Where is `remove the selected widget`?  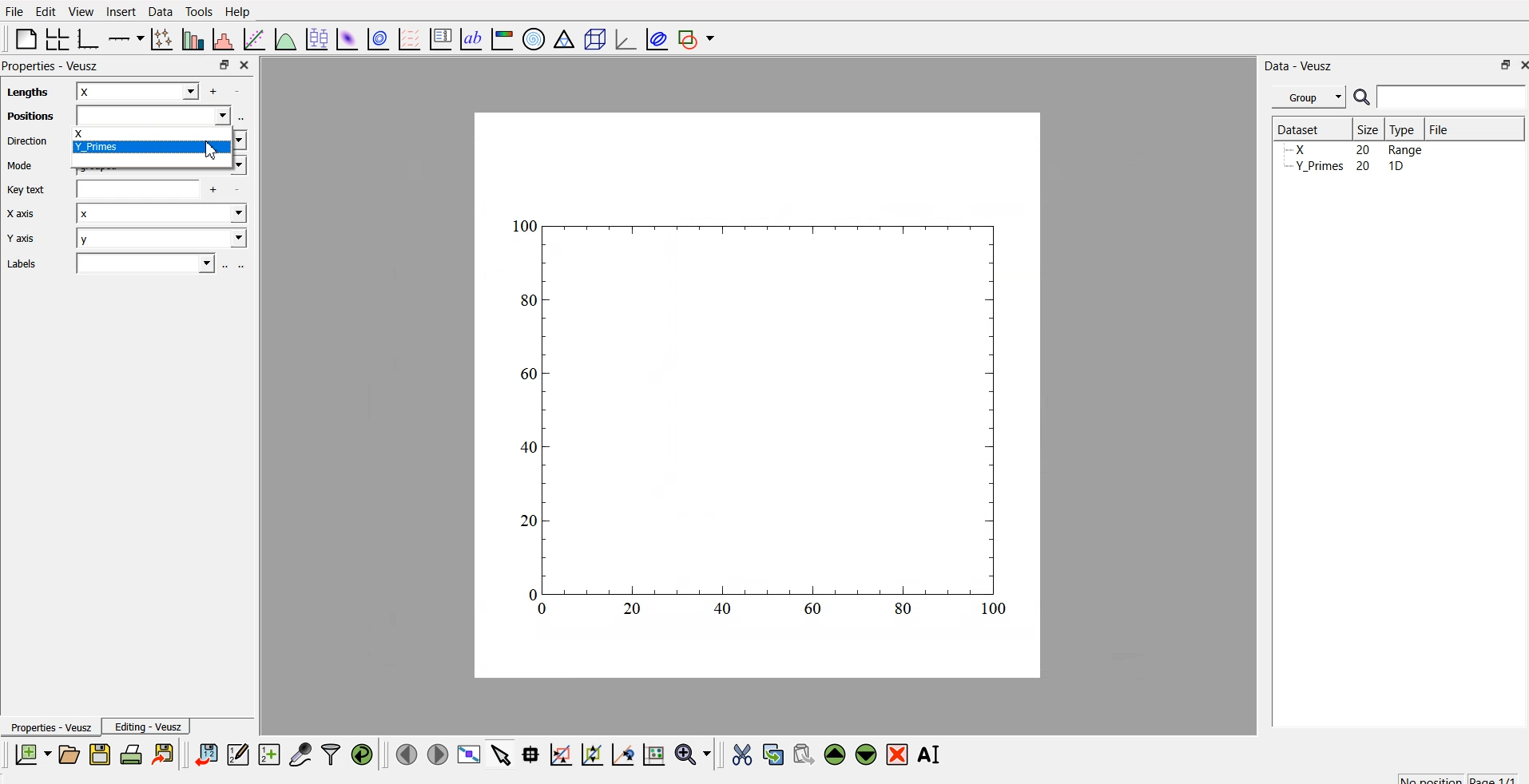 remove the selected widget is located at coordinates (900, 754).